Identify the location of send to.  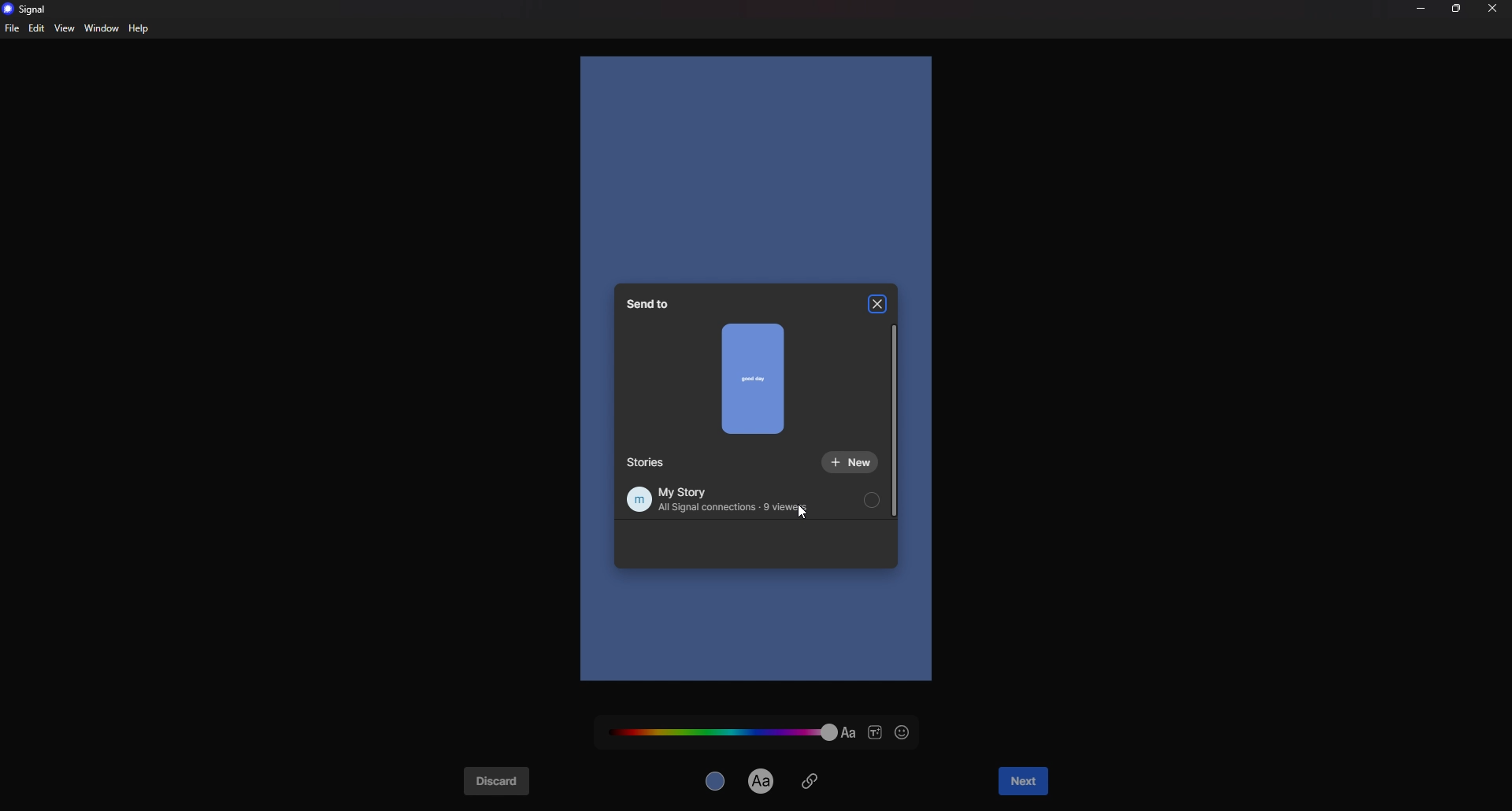
(654, 304).